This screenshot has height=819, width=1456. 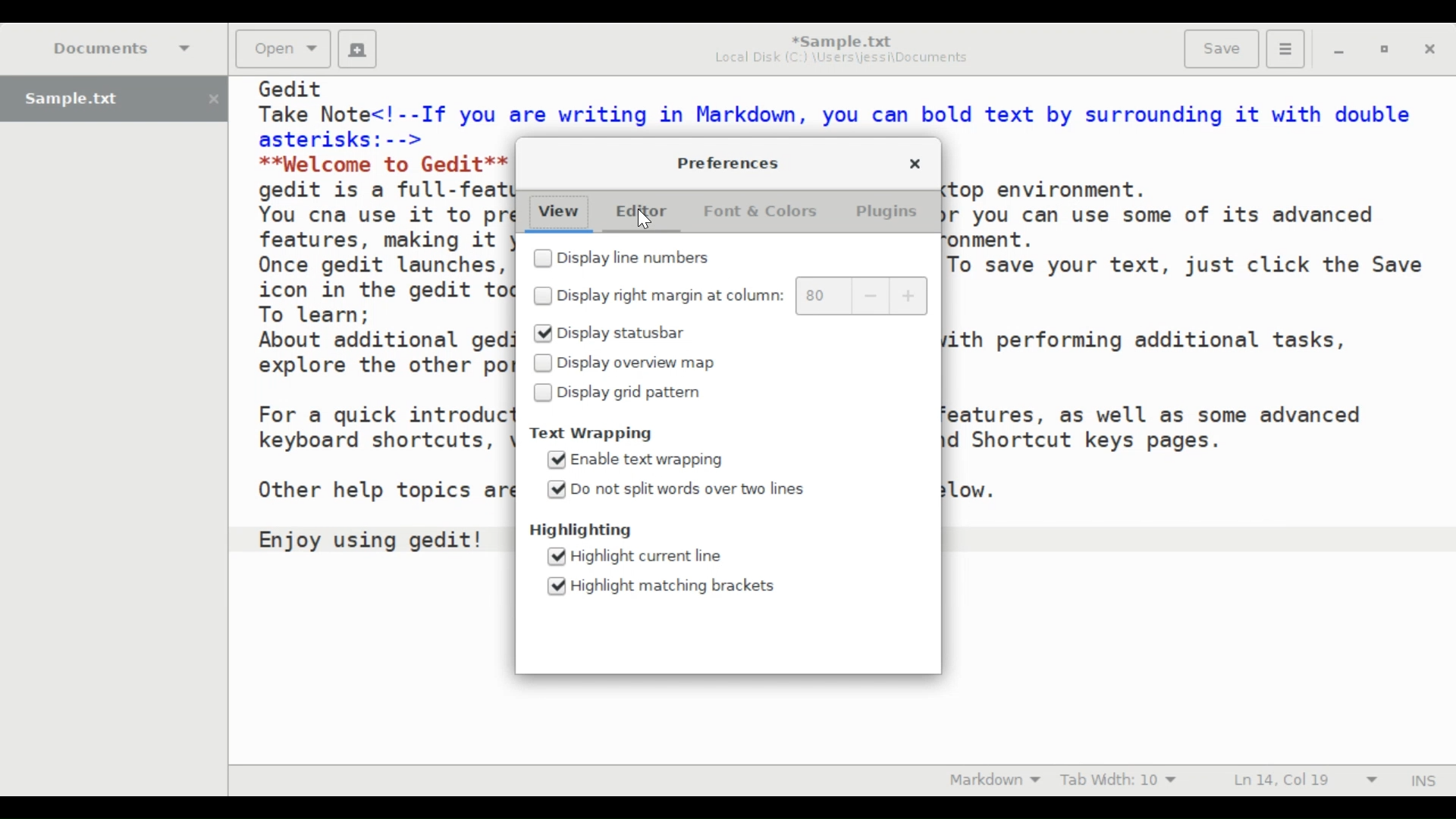 What do you see at coordinates (841, 40) in the screenshot?
I see `*Sample.txt` at bounding box center [841, 40].